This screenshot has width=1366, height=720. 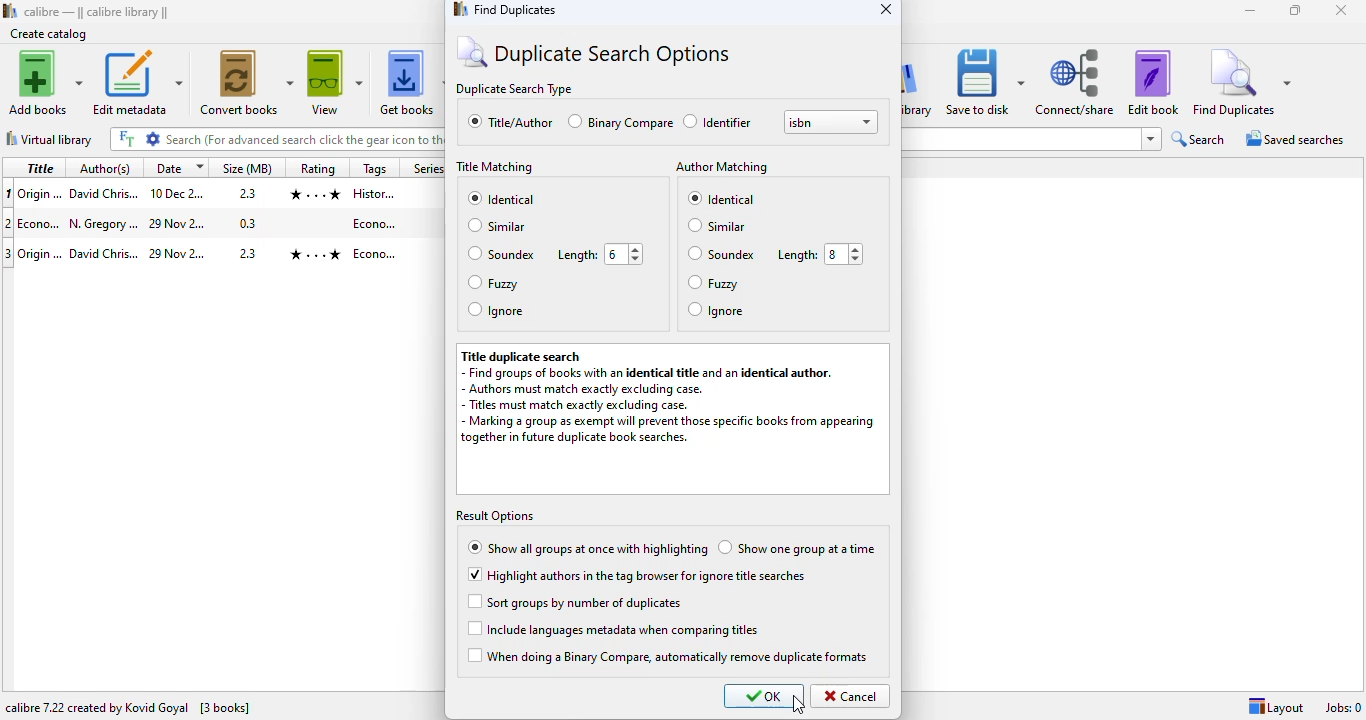 I want to click on convert books, so click(x=244, y=83).